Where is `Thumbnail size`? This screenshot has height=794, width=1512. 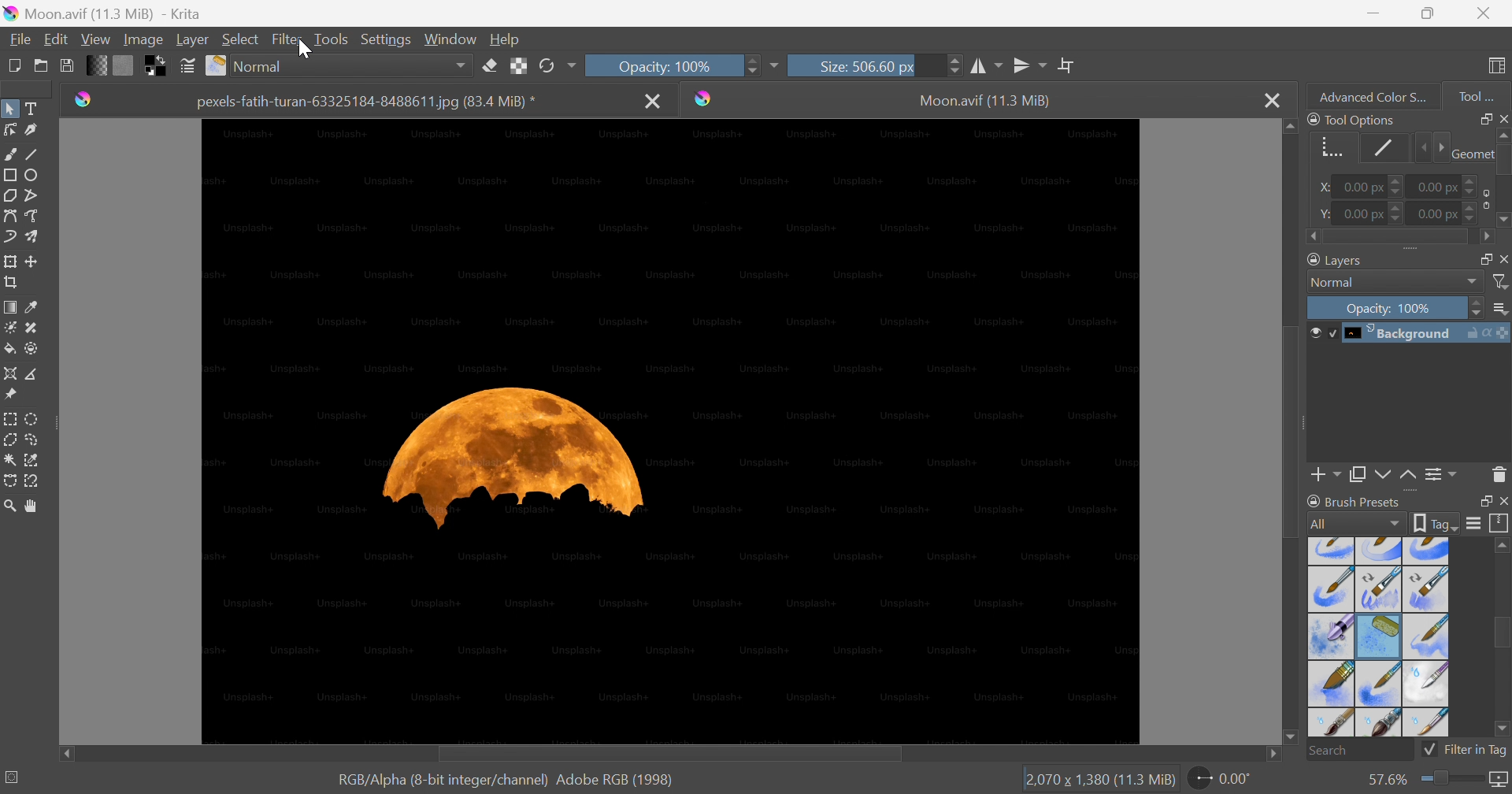 Thumbnail size is located at coordinates (1499, 309).